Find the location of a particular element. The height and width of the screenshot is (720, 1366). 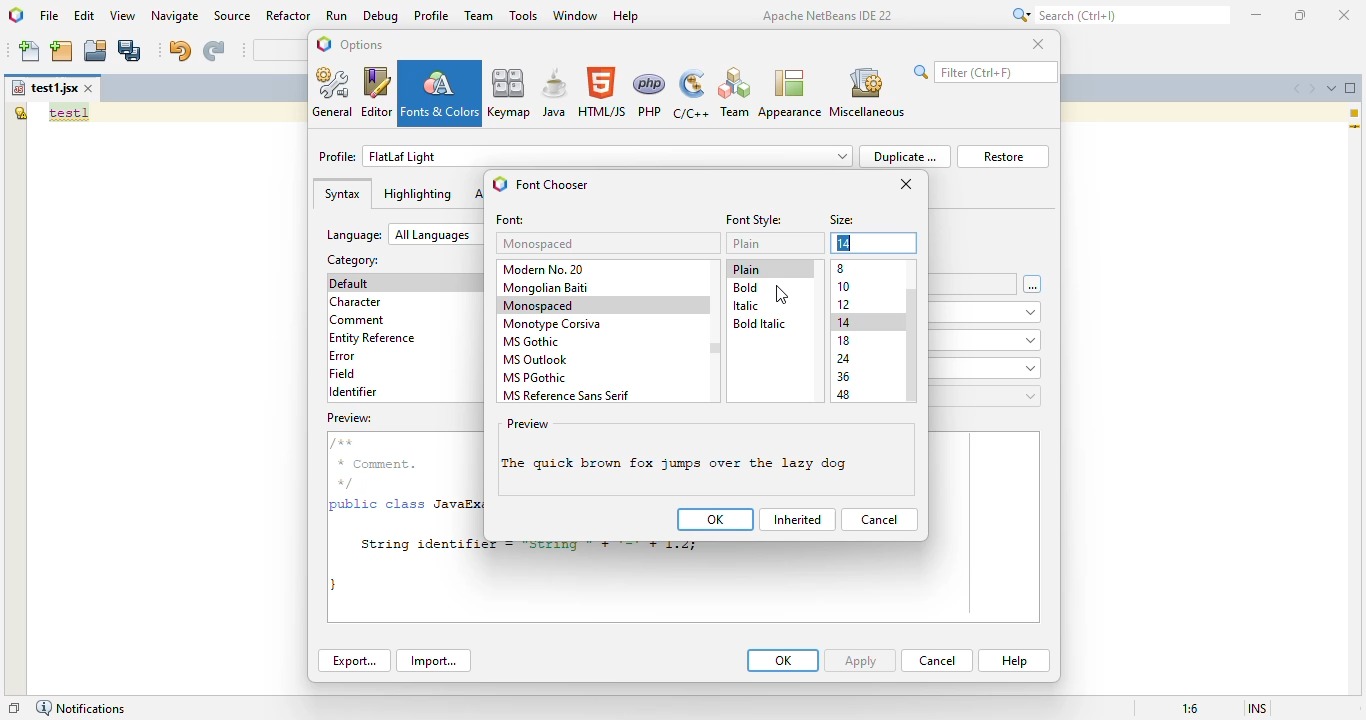

syntax is located at coordinates (342, 194).